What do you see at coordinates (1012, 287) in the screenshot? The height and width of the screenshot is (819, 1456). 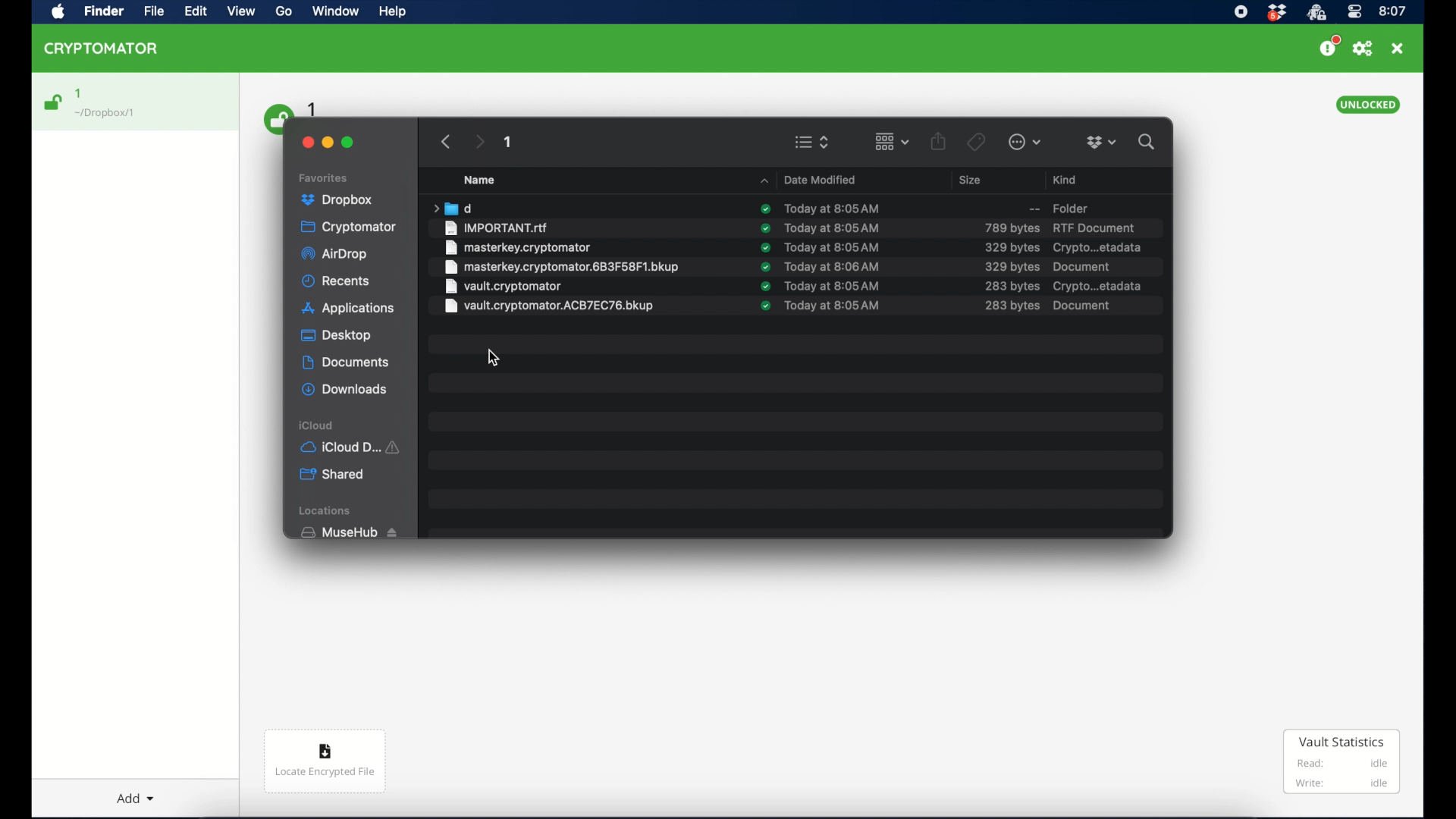 I see `size` at bounding box center [1012, 287].